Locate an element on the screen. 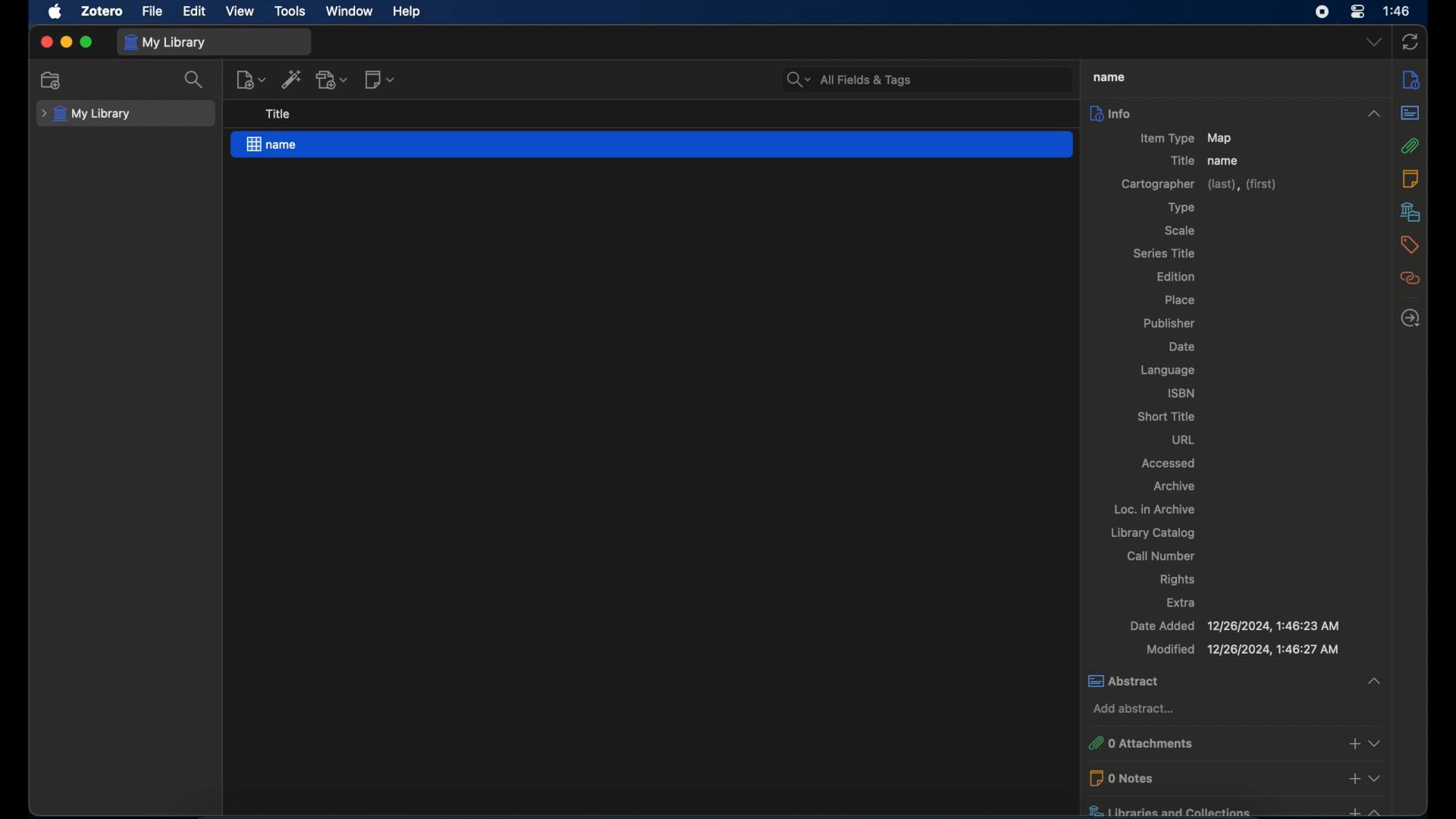 Image resolution: width=1456 pixels, height=819 pixels. new collection is located at coordinates (53, 80).